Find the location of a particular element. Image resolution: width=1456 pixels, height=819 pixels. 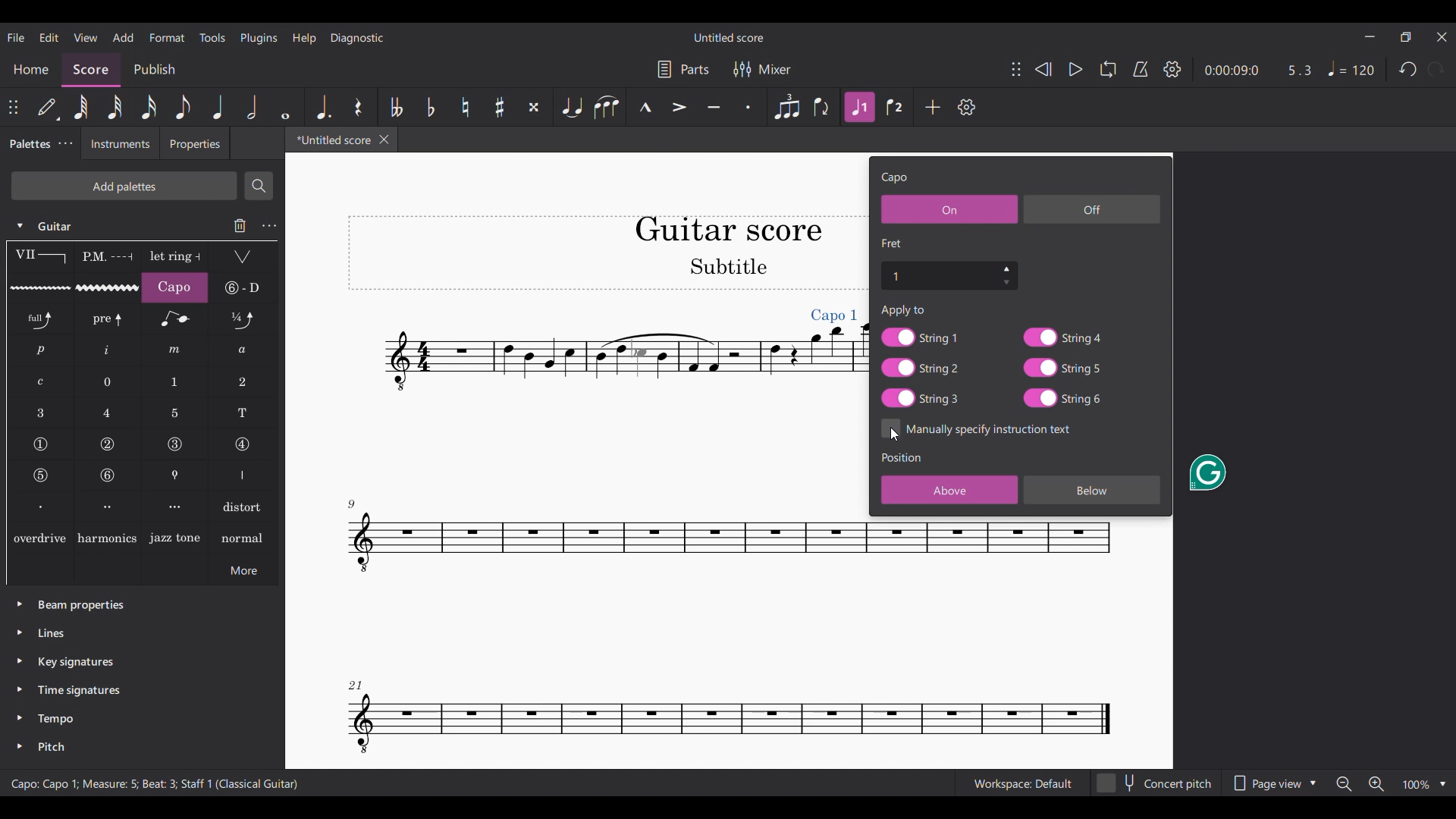

String 4 toggle is located at coordinates (1062, 337).